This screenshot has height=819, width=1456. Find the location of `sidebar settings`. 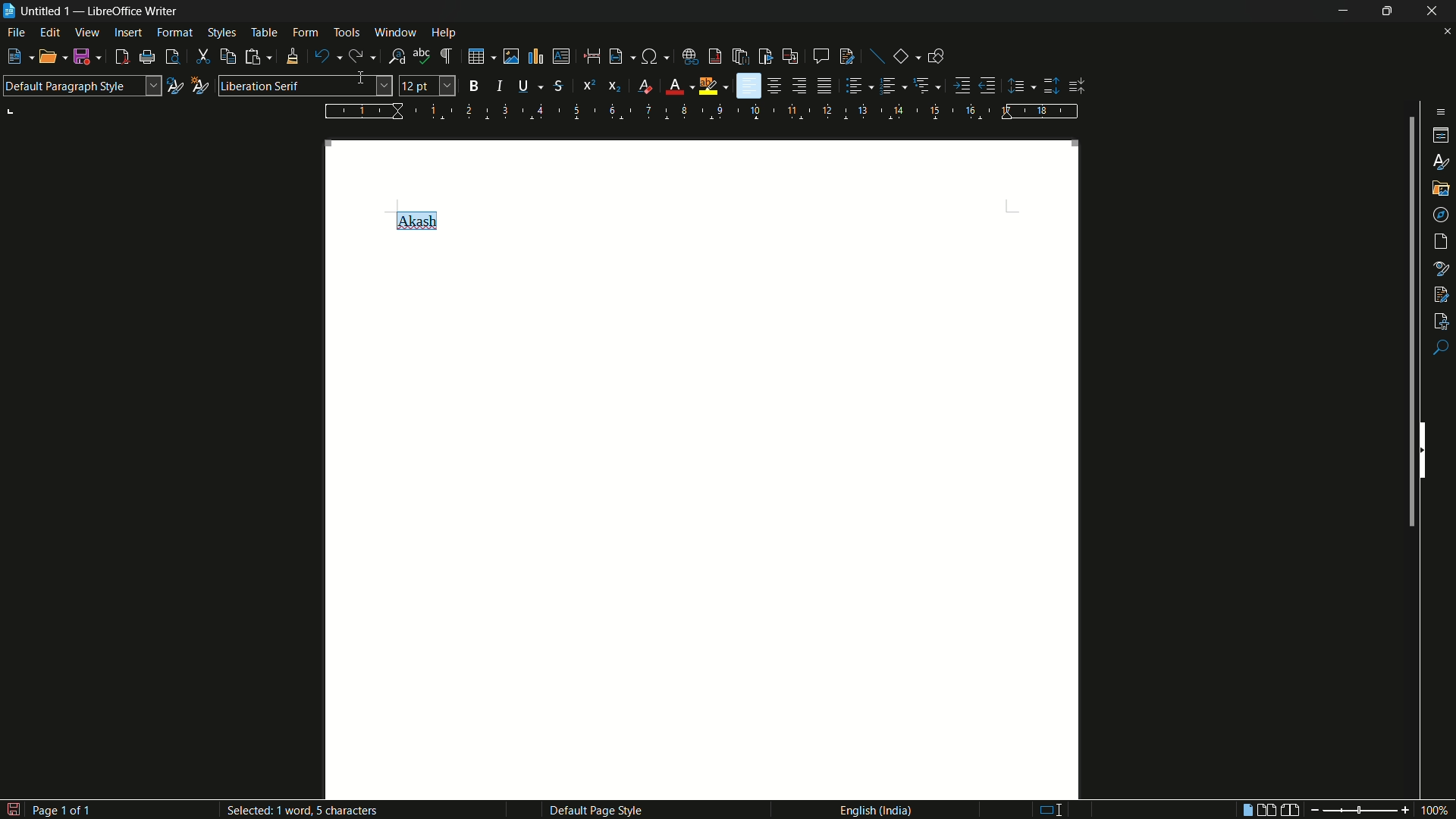

sidebar settings is located at coordinates (1438, 111).